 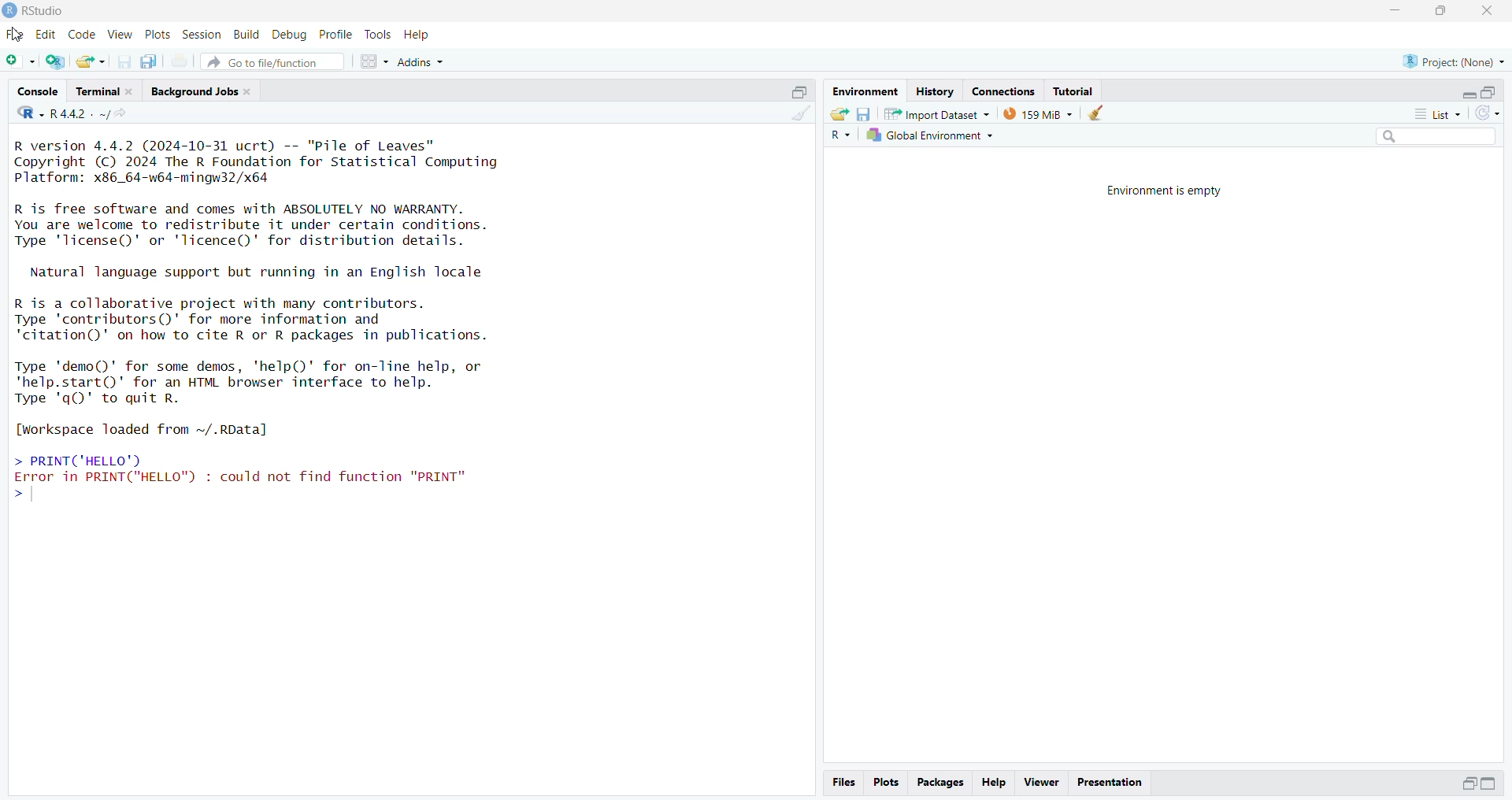 What do you see at coordinates (17, 35) in the screenshot?
I see `cursor` at bounding box center [17, 35].